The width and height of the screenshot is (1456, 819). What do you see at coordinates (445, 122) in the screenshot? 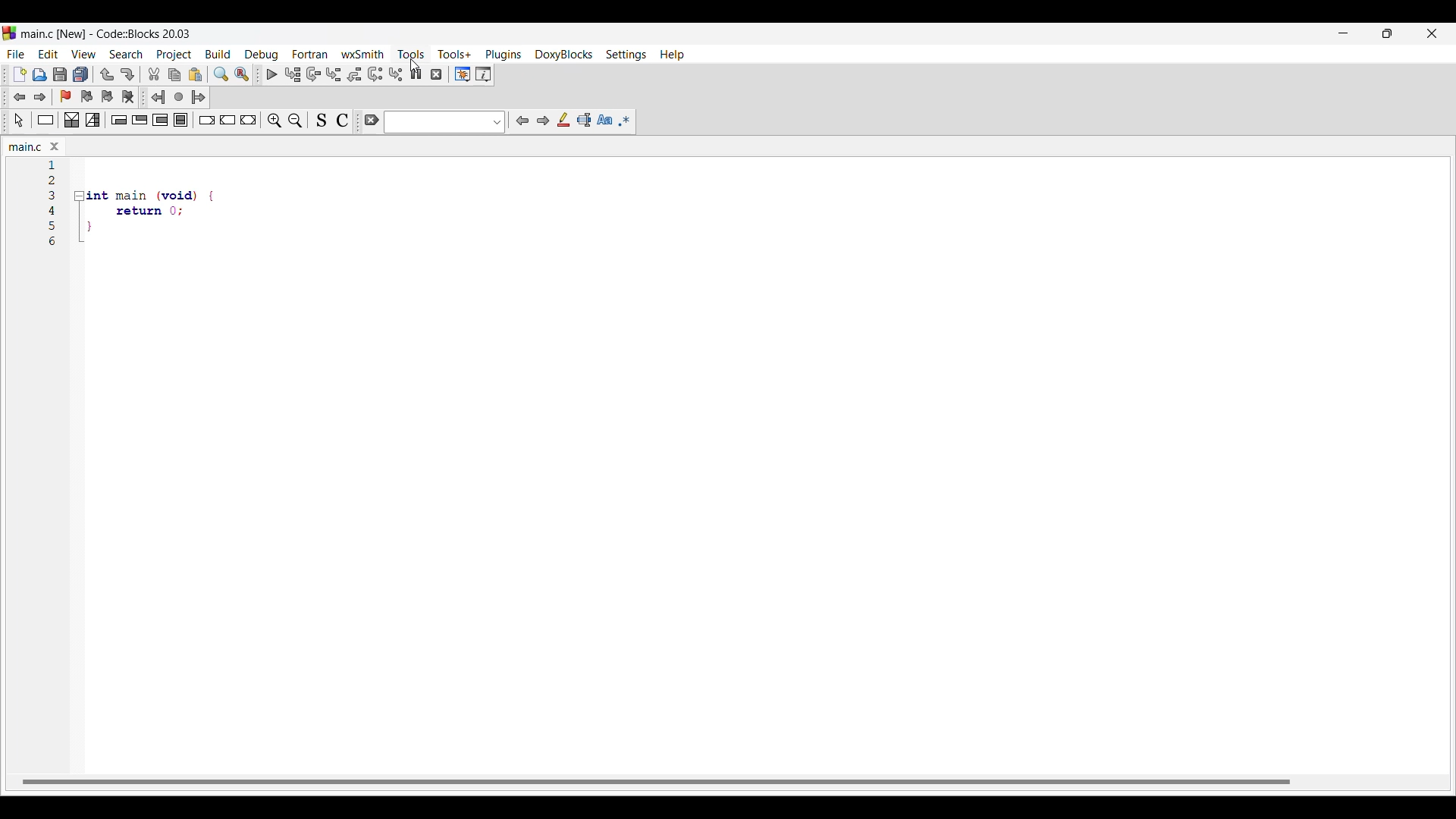
I see `Text box and text box options` at bounding box center [445, 122].